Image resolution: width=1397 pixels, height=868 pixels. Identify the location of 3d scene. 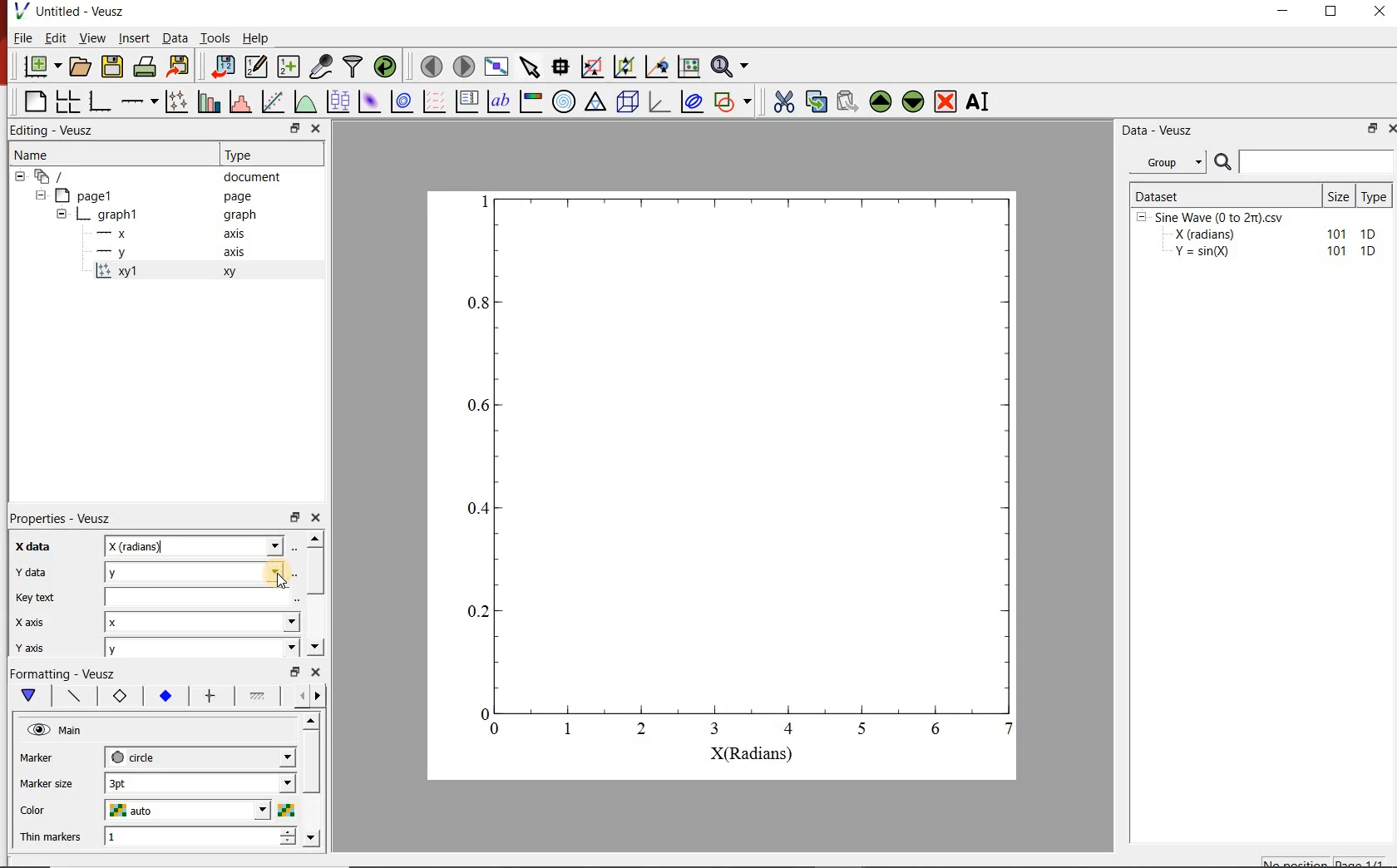
(628, 101).